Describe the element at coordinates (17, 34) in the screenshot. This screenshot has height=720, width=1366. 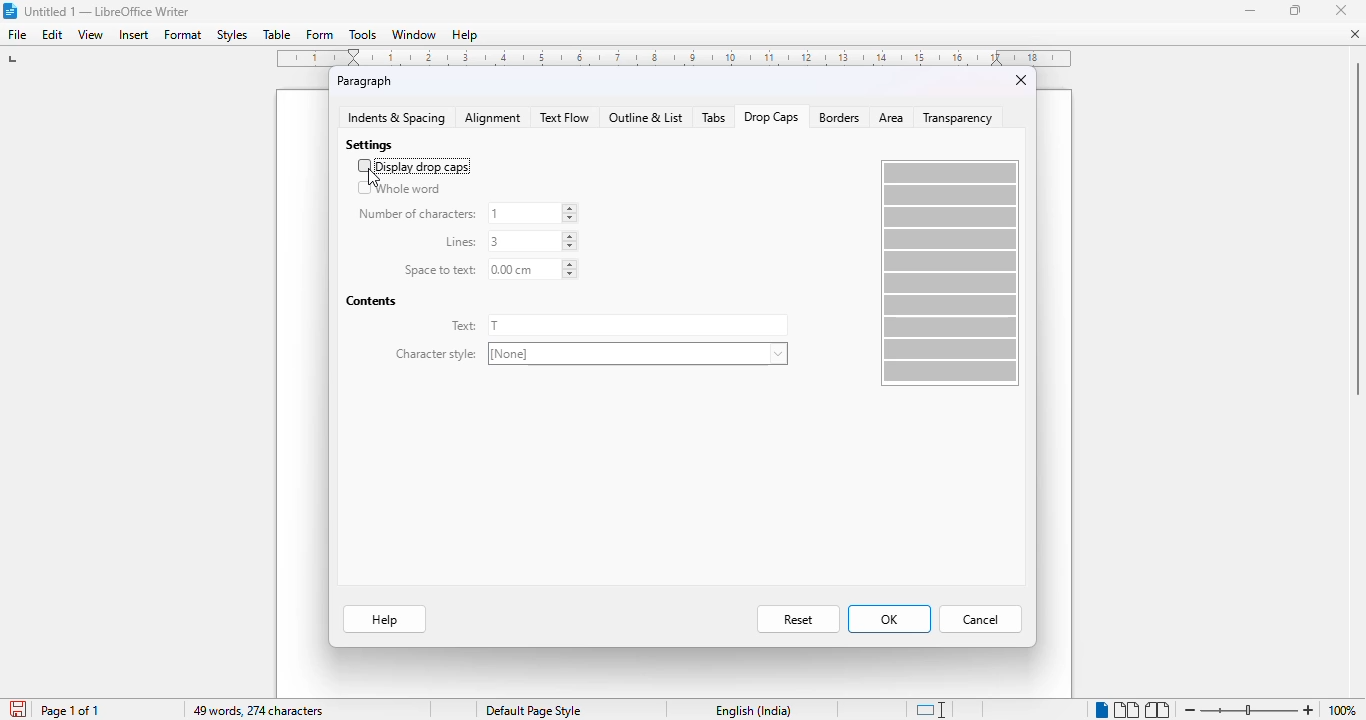
I see `file` at that location.